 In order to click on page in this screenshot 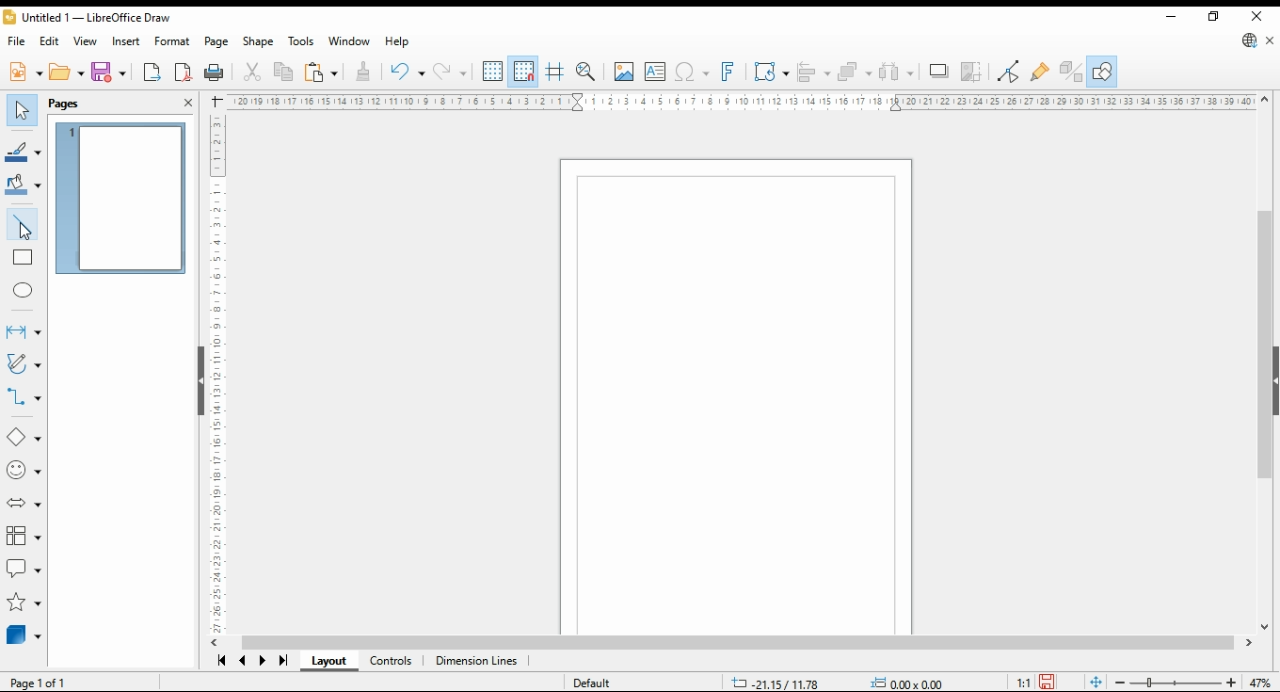, I will do `click(216, 42)`.